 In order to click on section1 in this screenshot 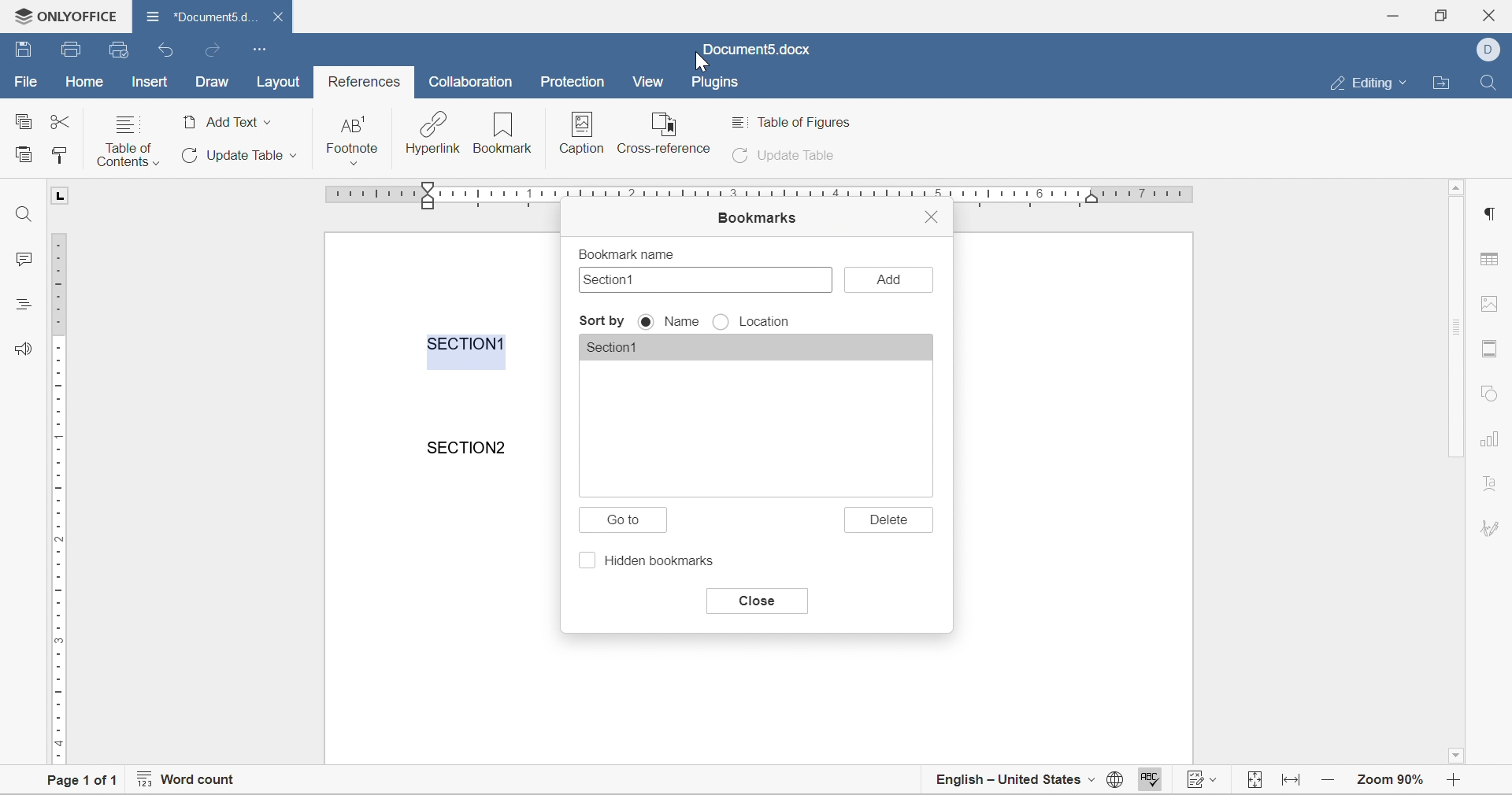, I will do `click(467, 343)`.